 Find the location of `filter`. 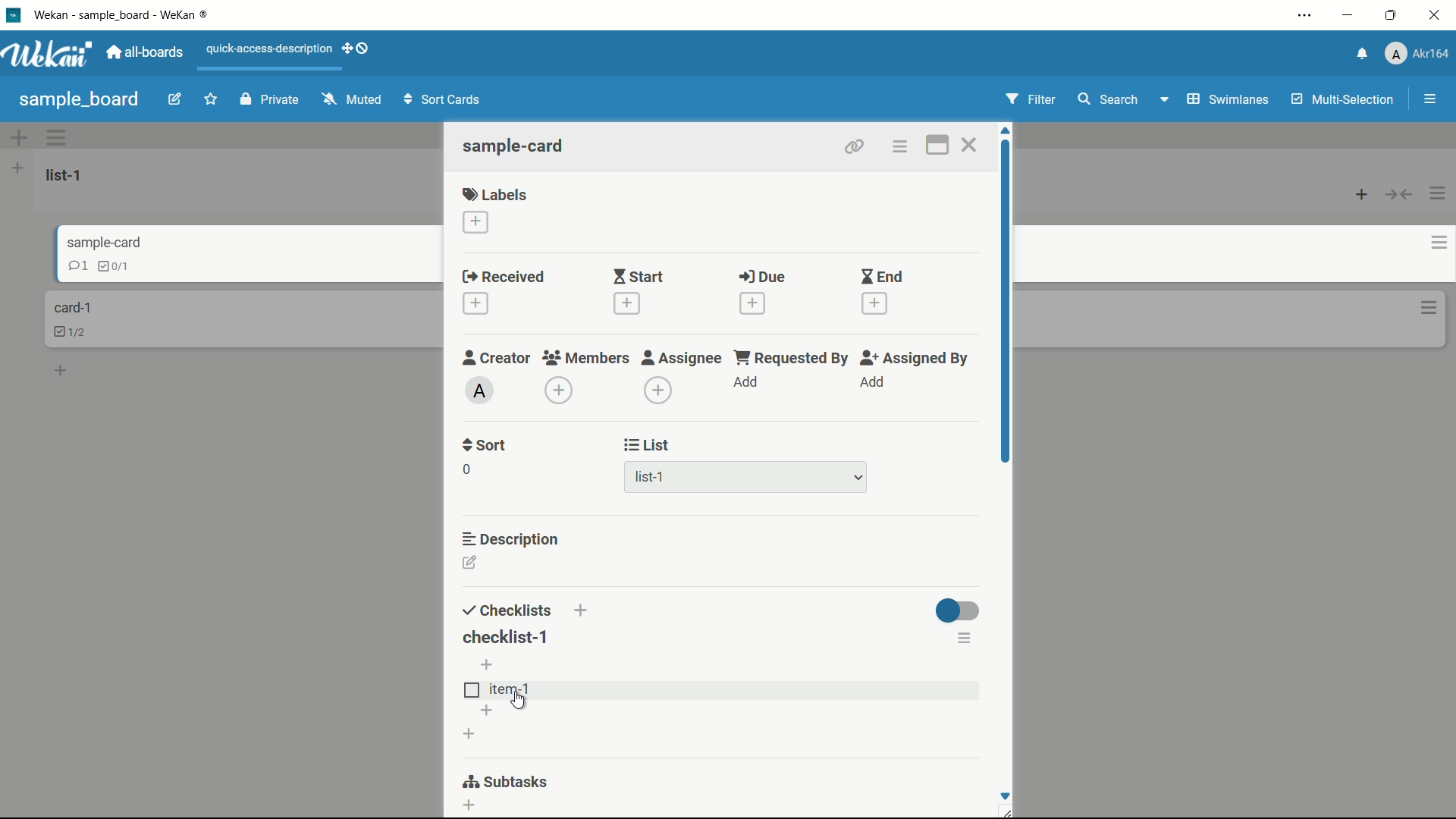

filter is located at coordinates (1031, 99).